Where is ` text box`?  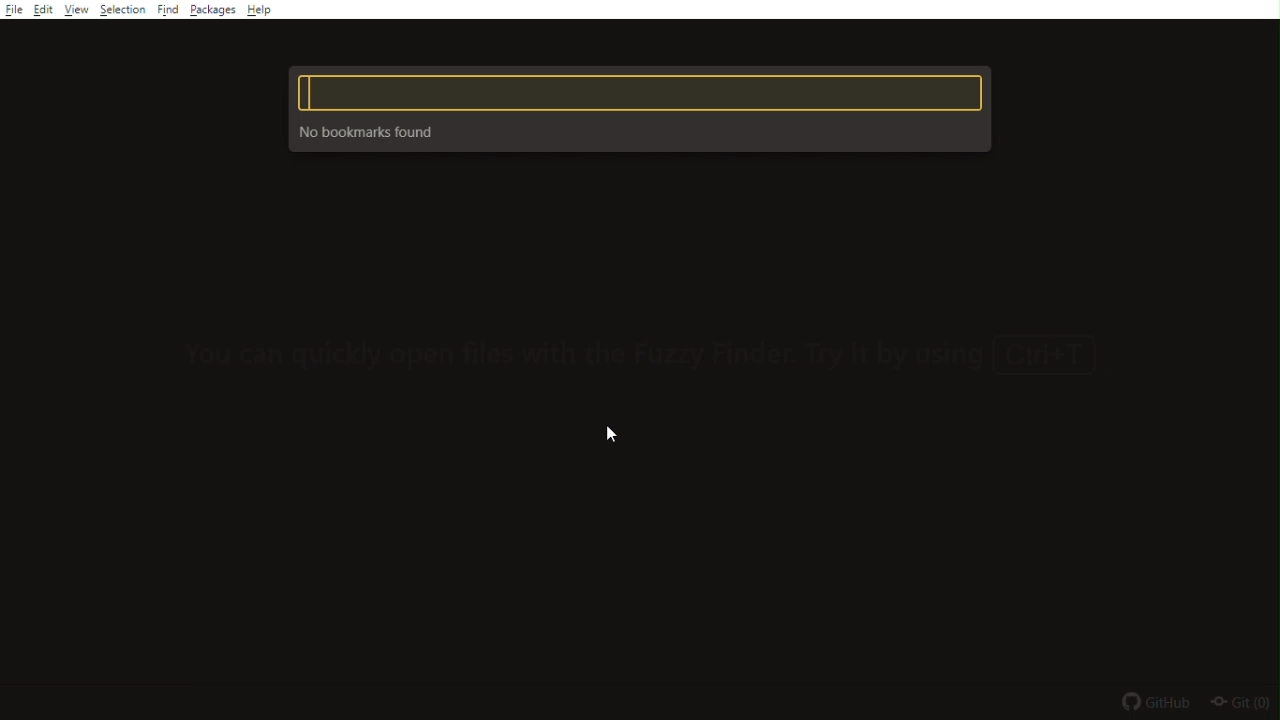
 text box is located at coordinates (640, 91).